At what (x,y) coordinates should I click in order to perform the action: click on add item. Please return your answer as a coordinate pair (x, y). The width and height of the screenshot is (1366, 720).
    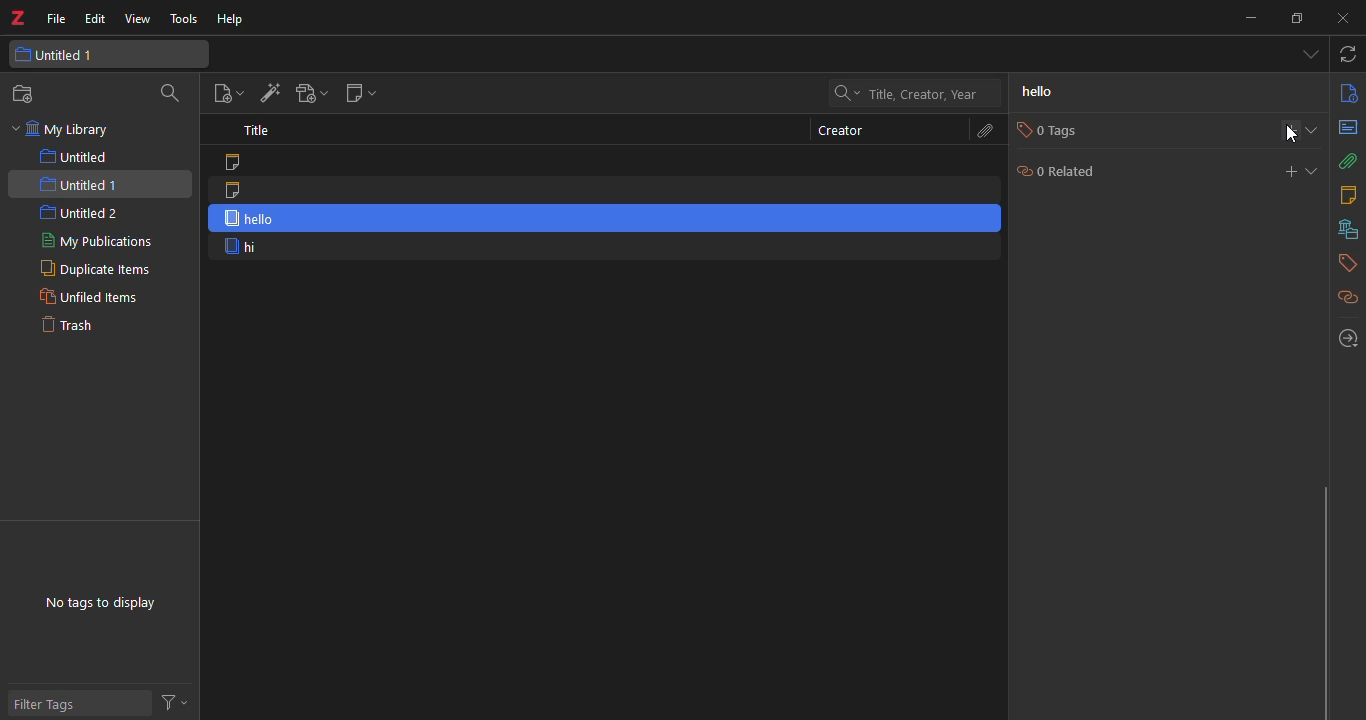
    Looking at the image, I should click on (267, 93).